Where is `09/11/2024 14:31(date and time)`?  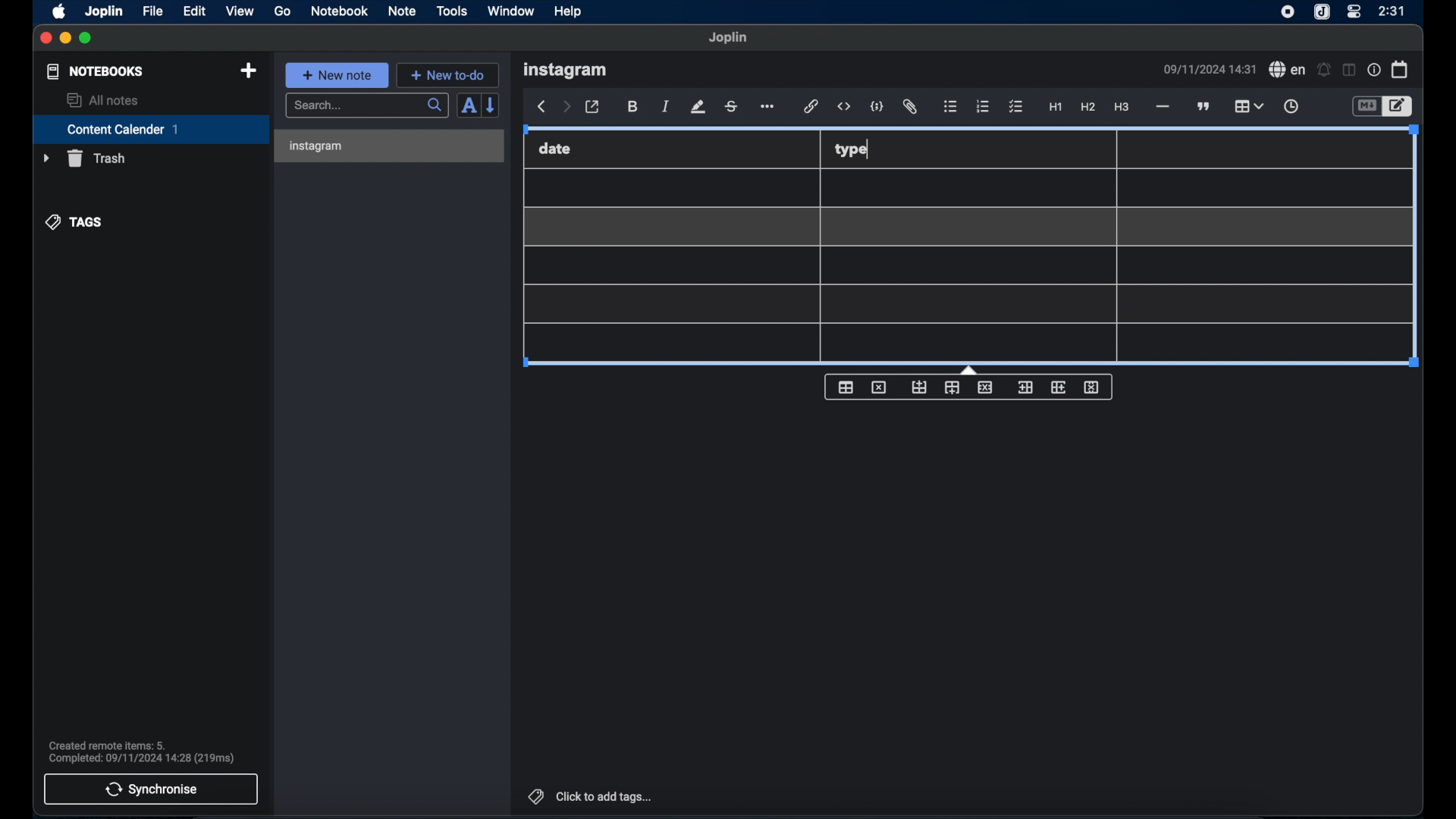
09/11/2024 14:31(date and time) is located at coordinates (1210, 69).